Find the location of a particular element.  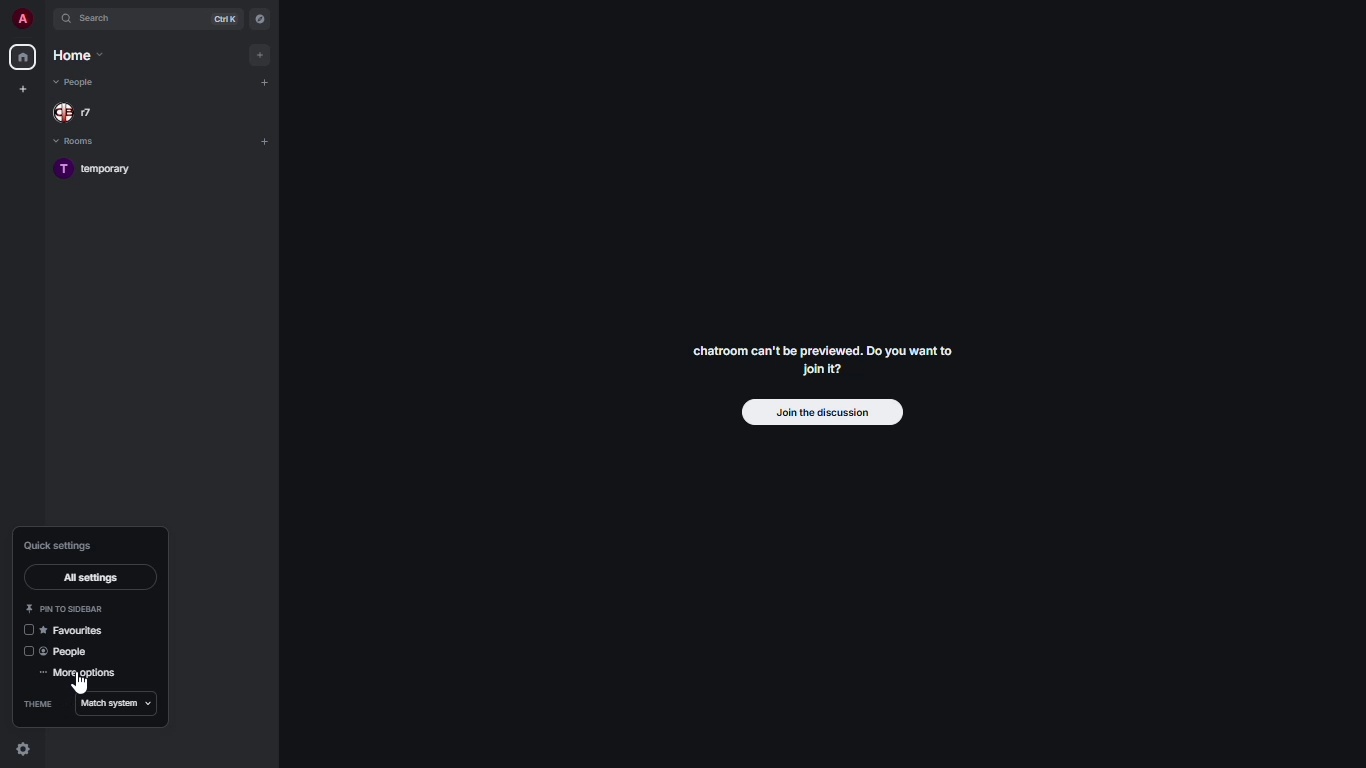

quick settings is located at coordinates (60, 546).